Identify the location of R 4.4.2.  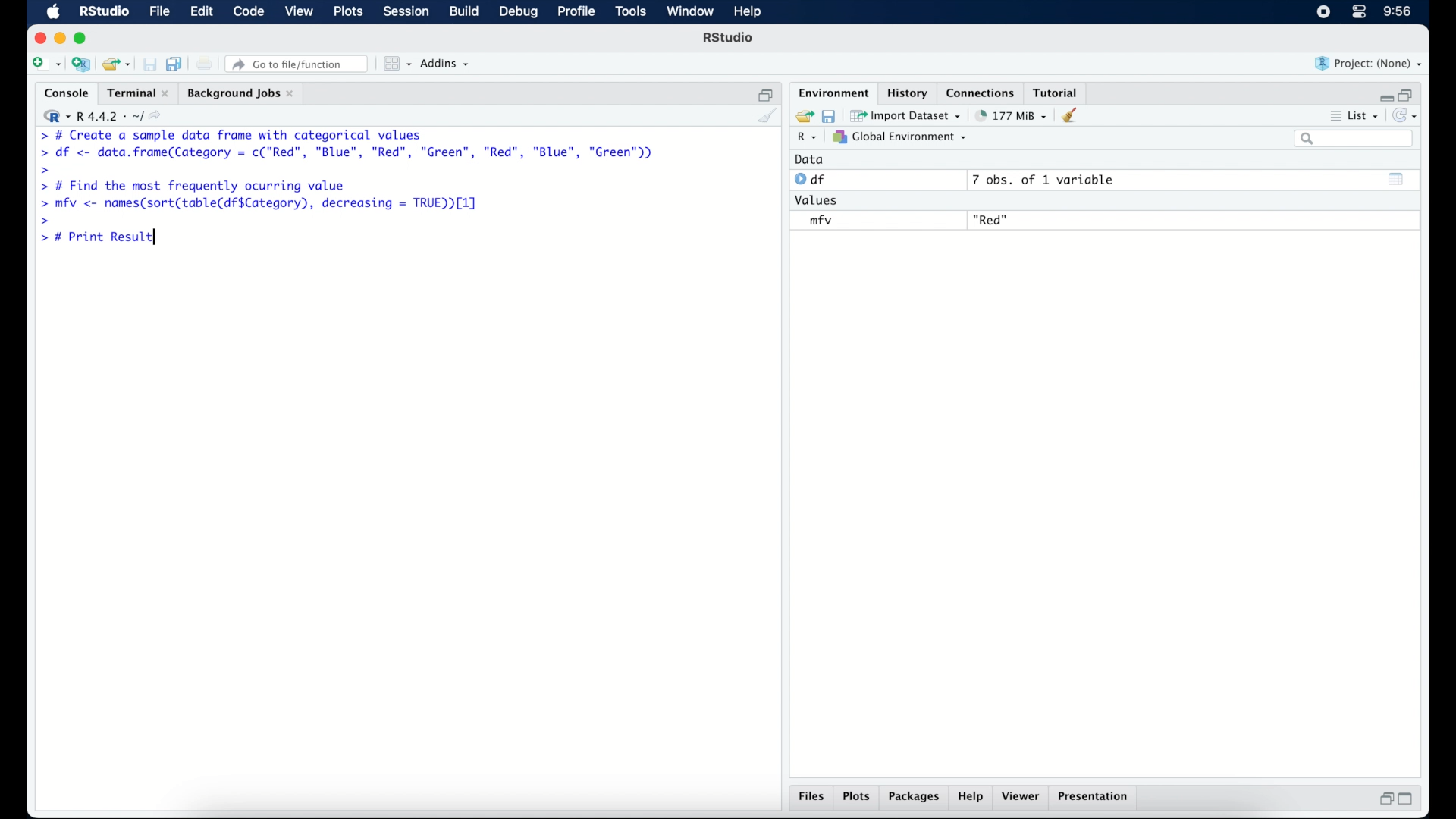
(102, 114).